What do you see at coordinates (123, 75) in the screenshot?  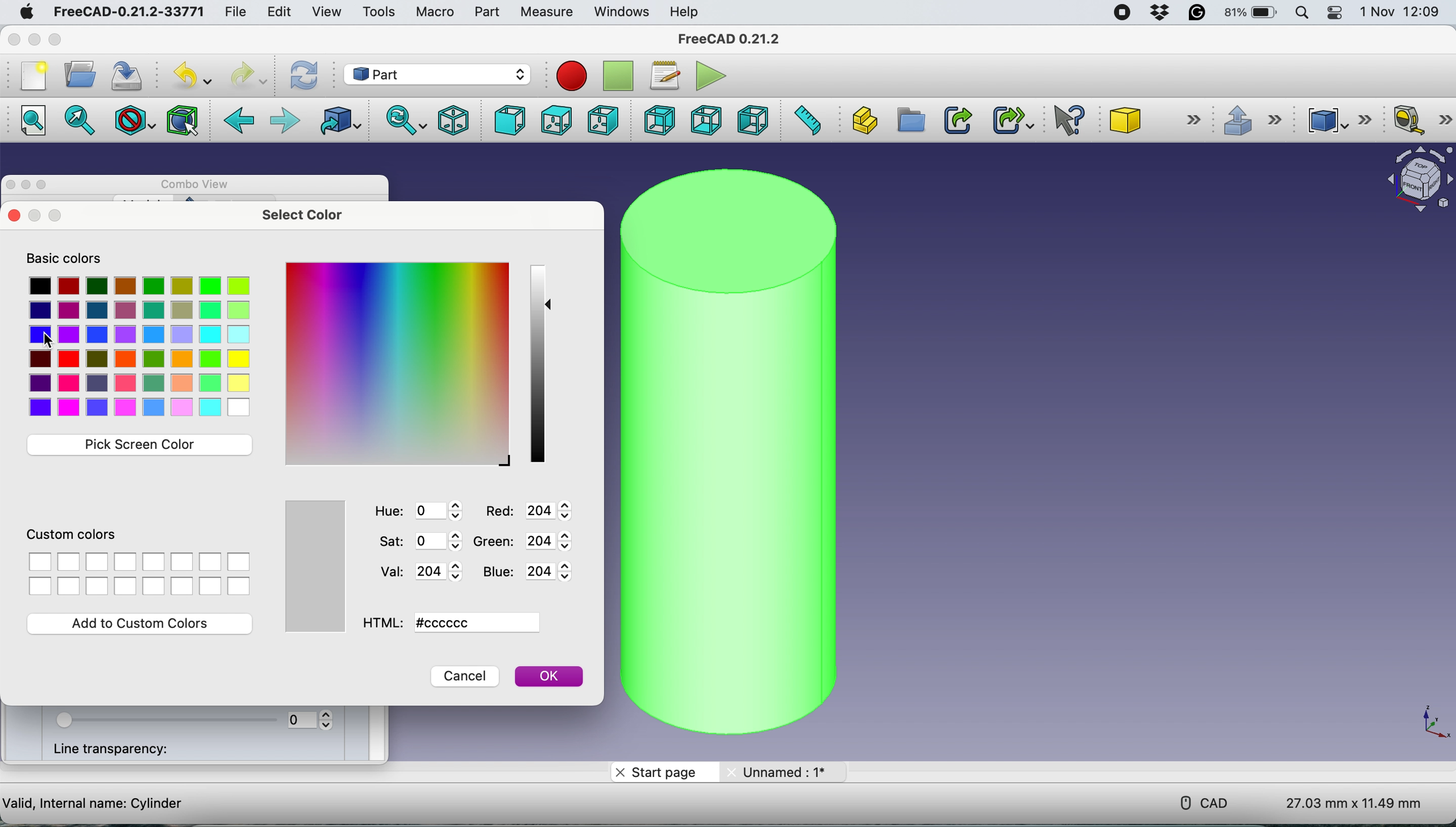 I see `save` at bounding box center [123, 75].